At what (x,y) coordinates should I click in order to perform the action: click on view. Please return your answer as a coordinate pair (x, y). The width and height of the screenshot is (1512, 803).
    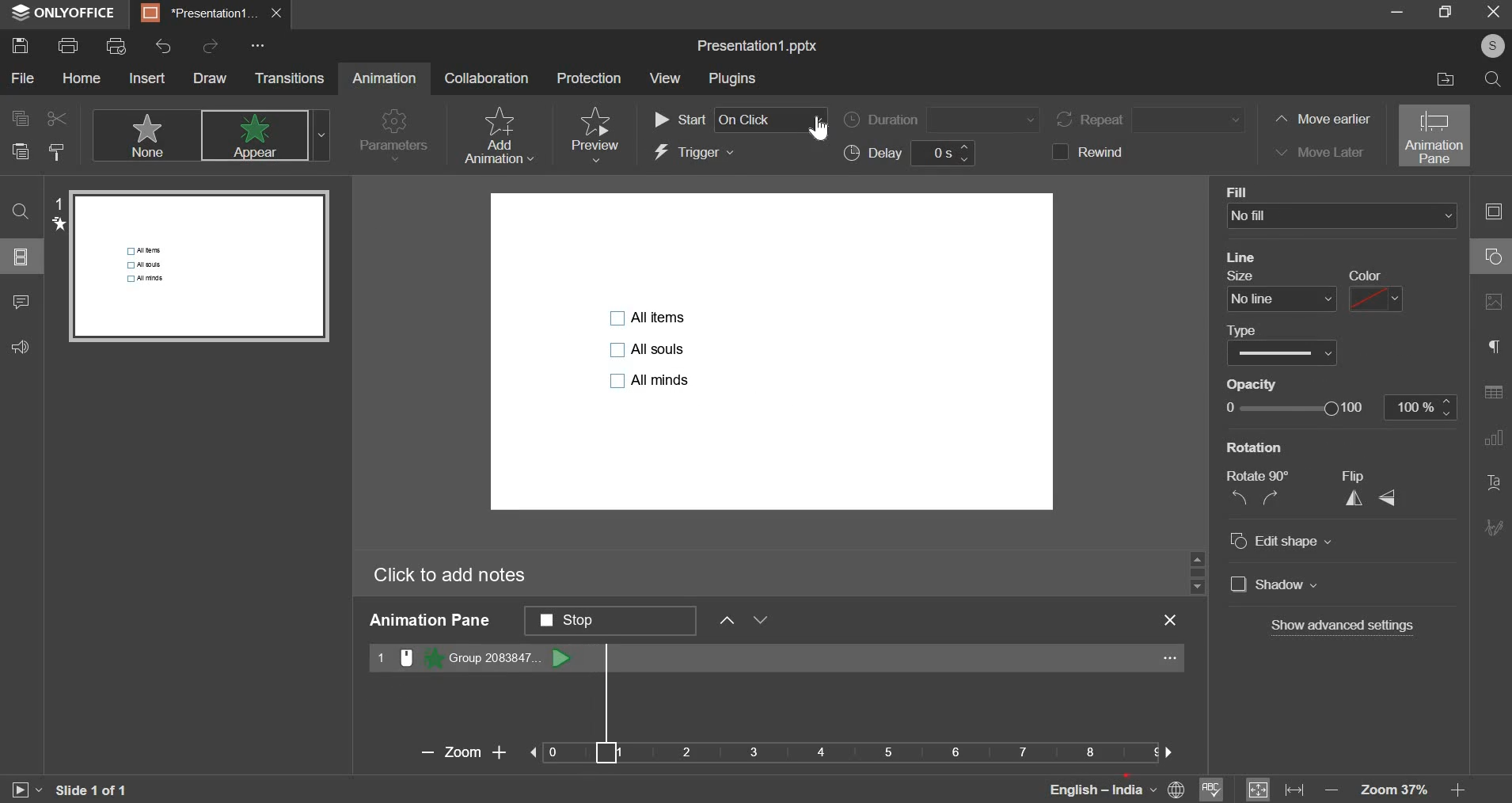
    Looking at the image, I should click on (666, 78).